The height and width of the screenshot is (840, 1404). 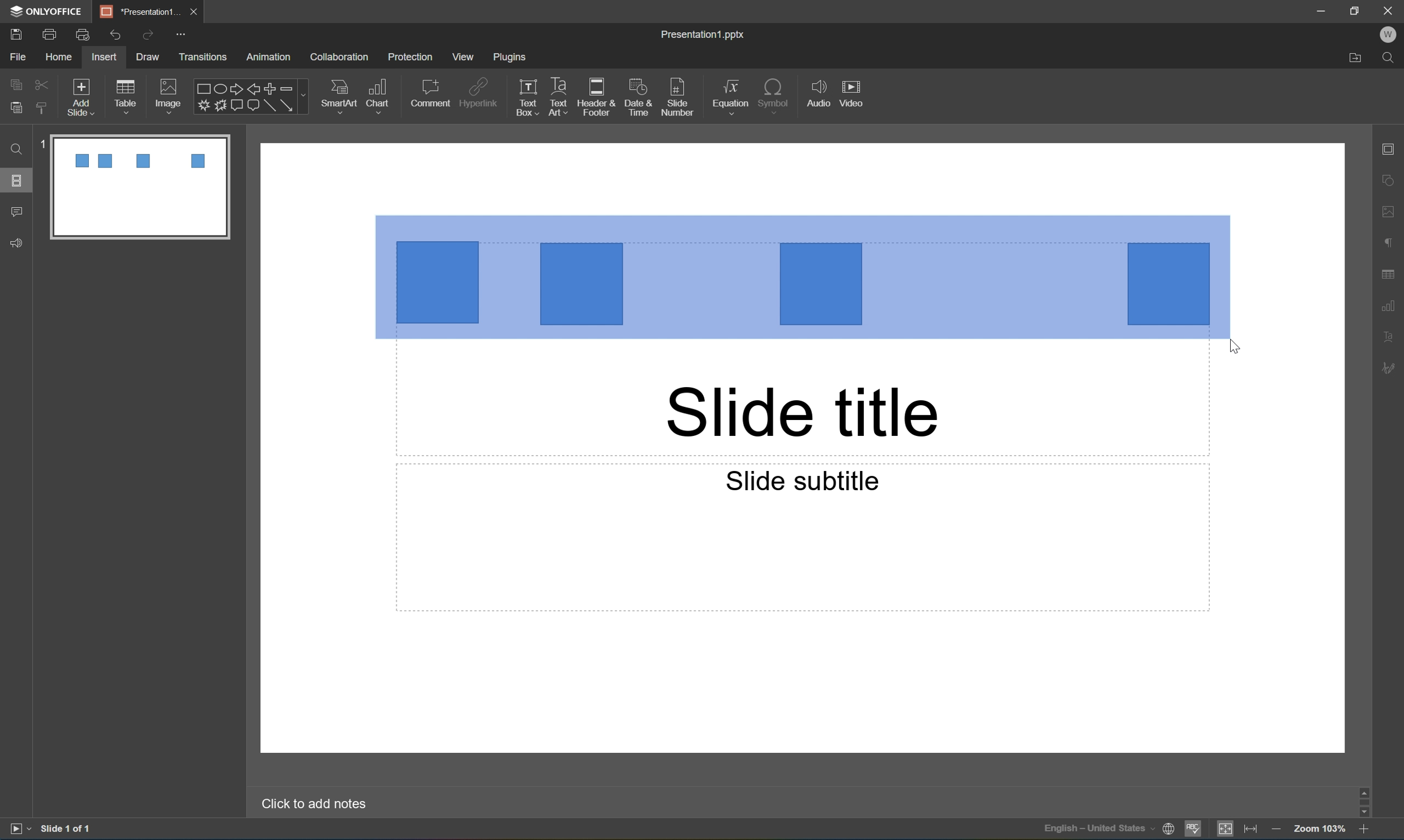 What do you see at coordinates (181, 33) in the screenshot?
I see `customize quick access toolbar` at bounding box center [181, 33].